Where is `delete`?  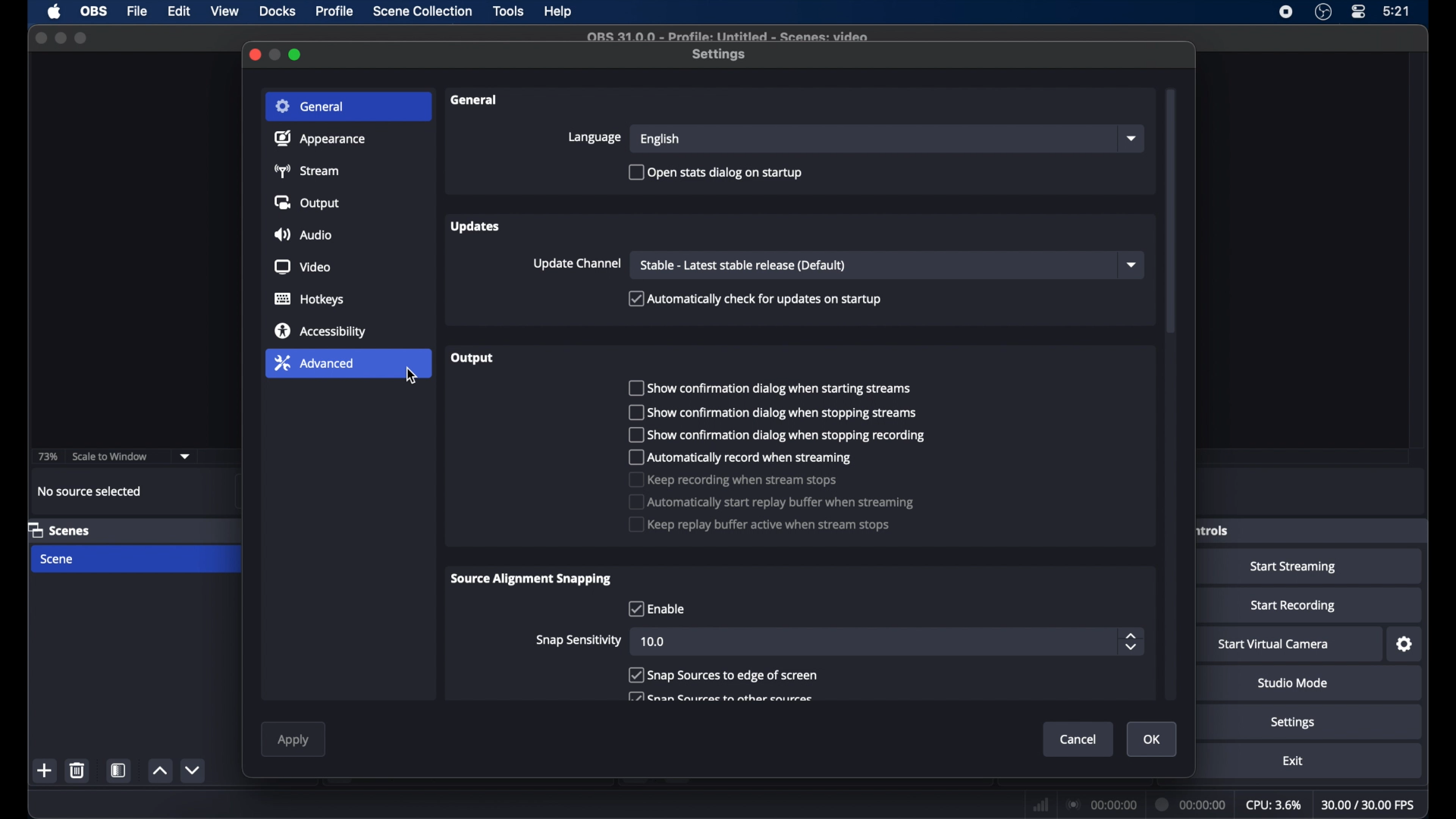 delete is located at coordinates (77, 770).